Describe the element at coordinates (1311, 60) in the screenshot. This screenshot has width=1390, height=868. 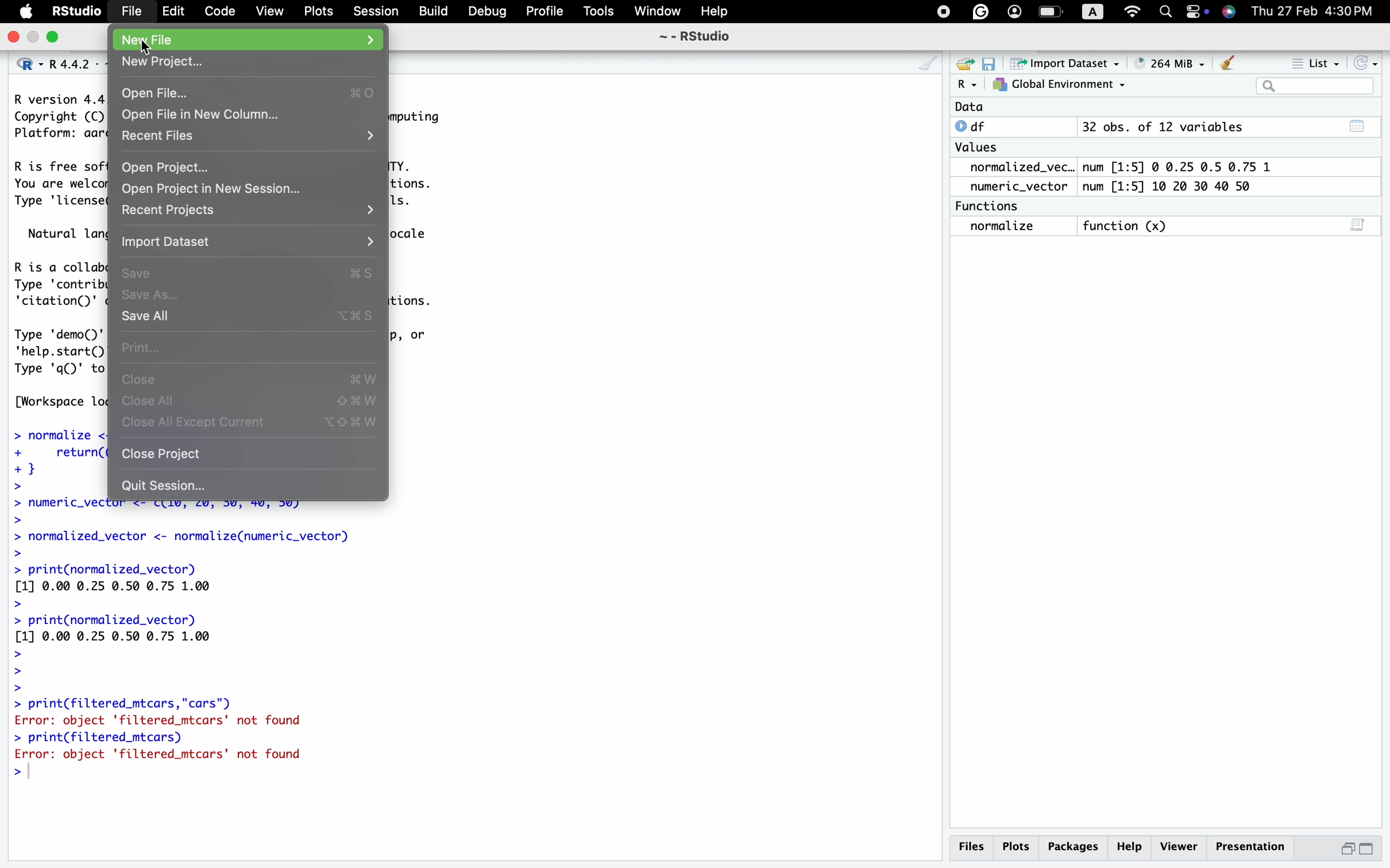
I see `list` at that location.